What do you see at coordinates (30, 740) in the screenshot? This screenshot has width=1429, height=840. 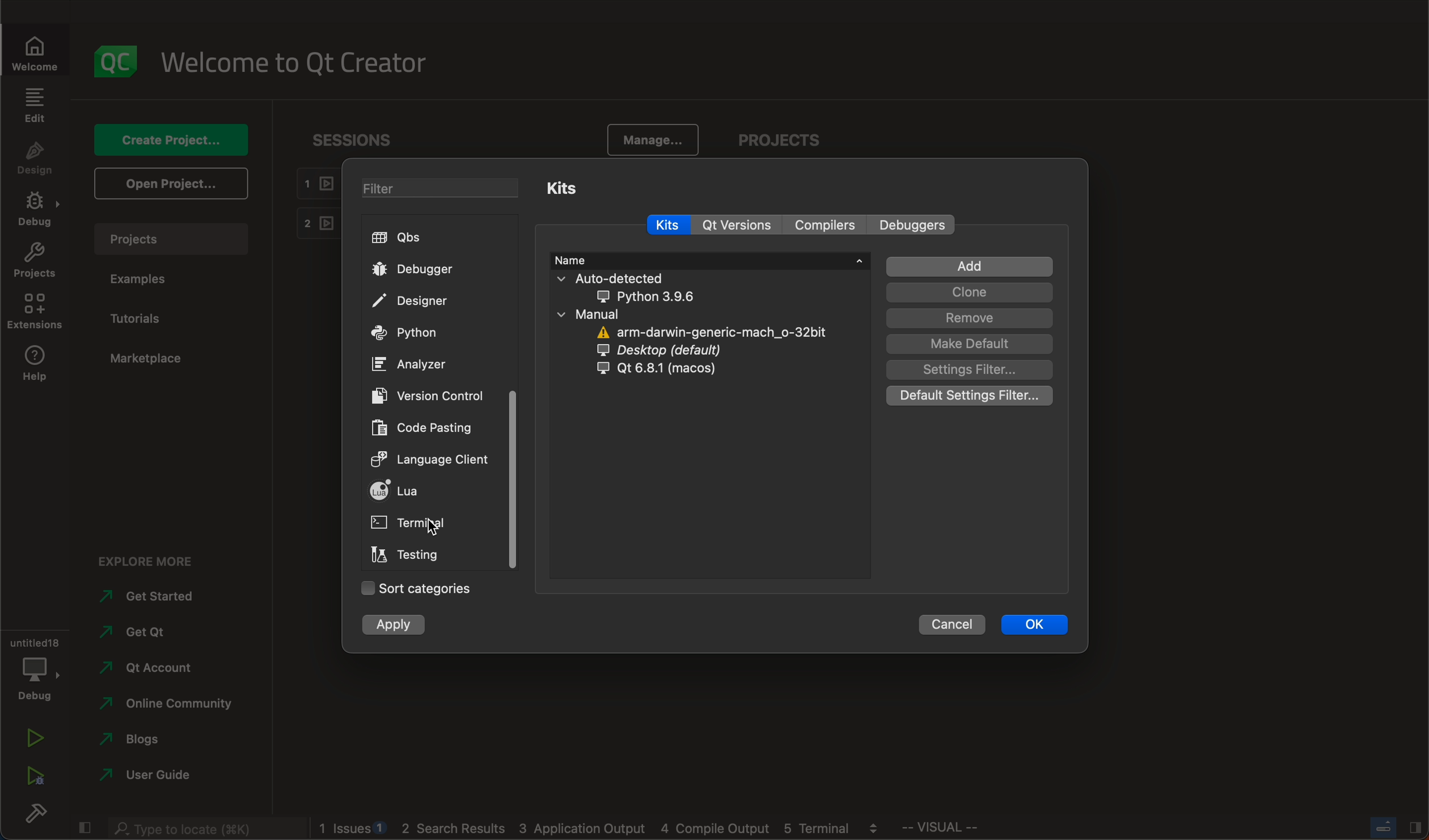 I see `run` at bounding box center [30, 740].